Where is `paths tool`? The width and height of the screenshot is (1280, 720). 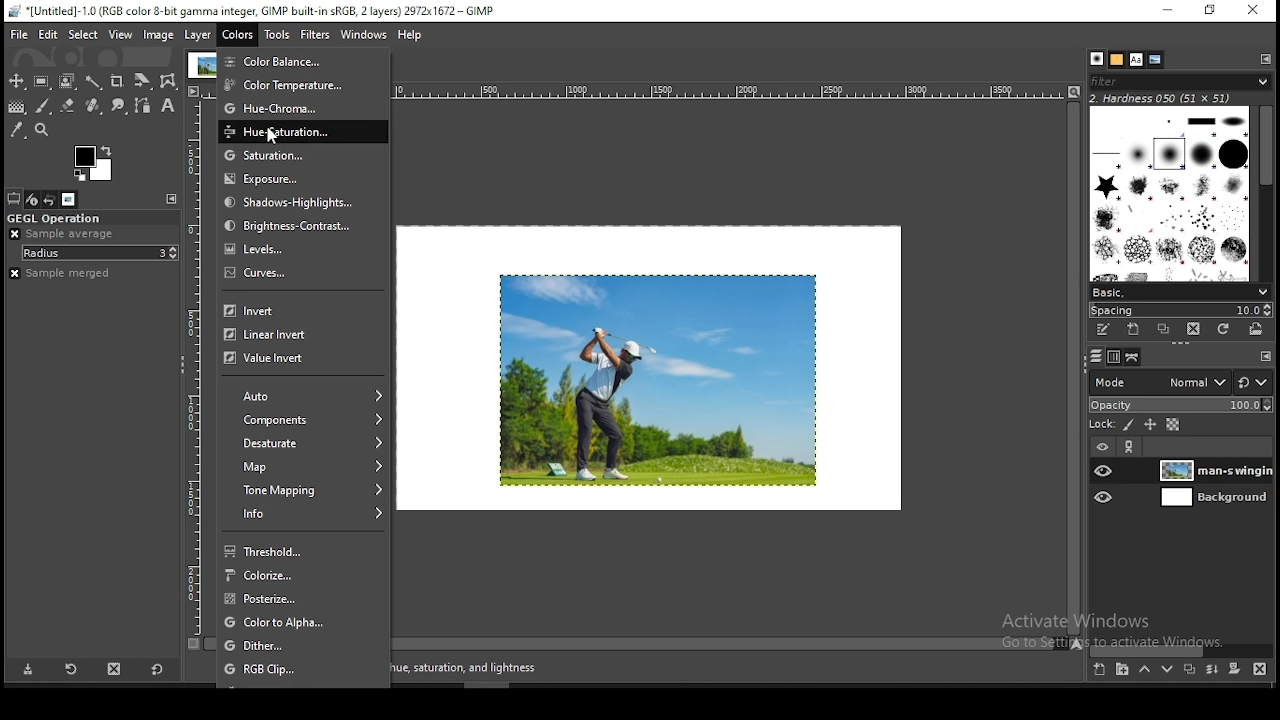 paths tool is located at coordinates (146, 109).